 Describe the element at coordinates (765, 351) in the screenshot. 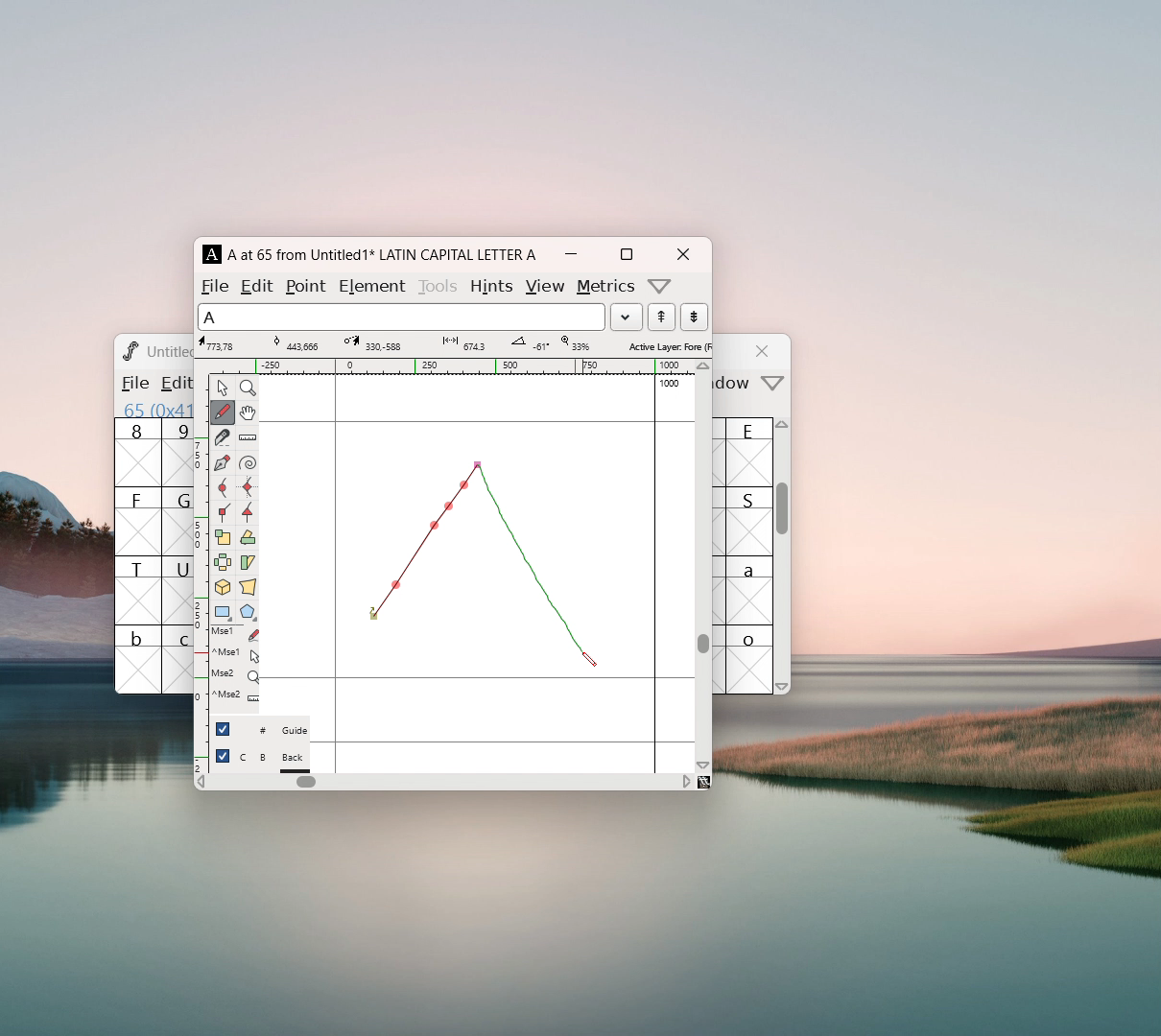

I see `close` at that location.